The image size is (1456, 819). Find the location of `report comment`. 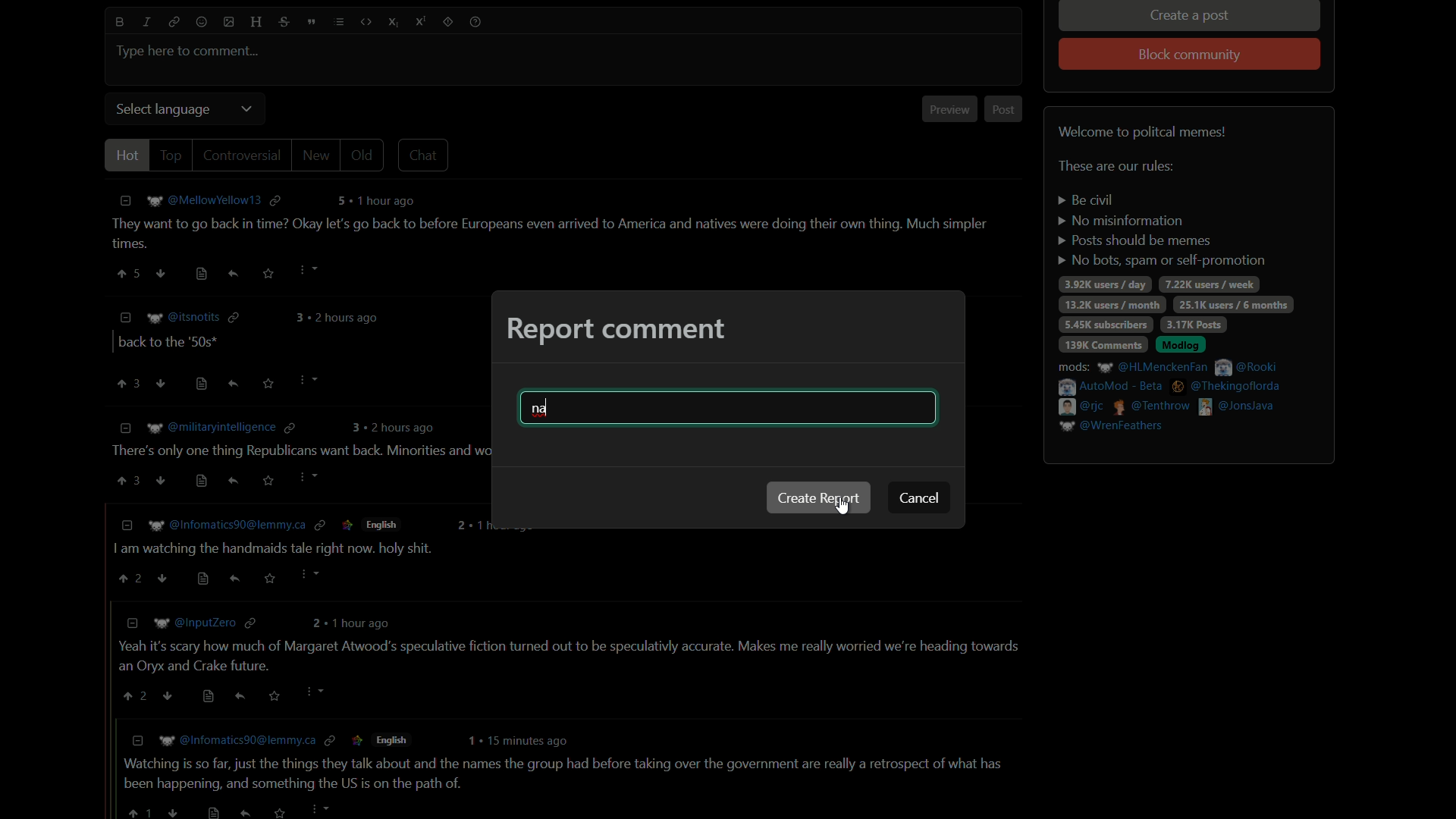

report comment is located at coordinates (620, 329).